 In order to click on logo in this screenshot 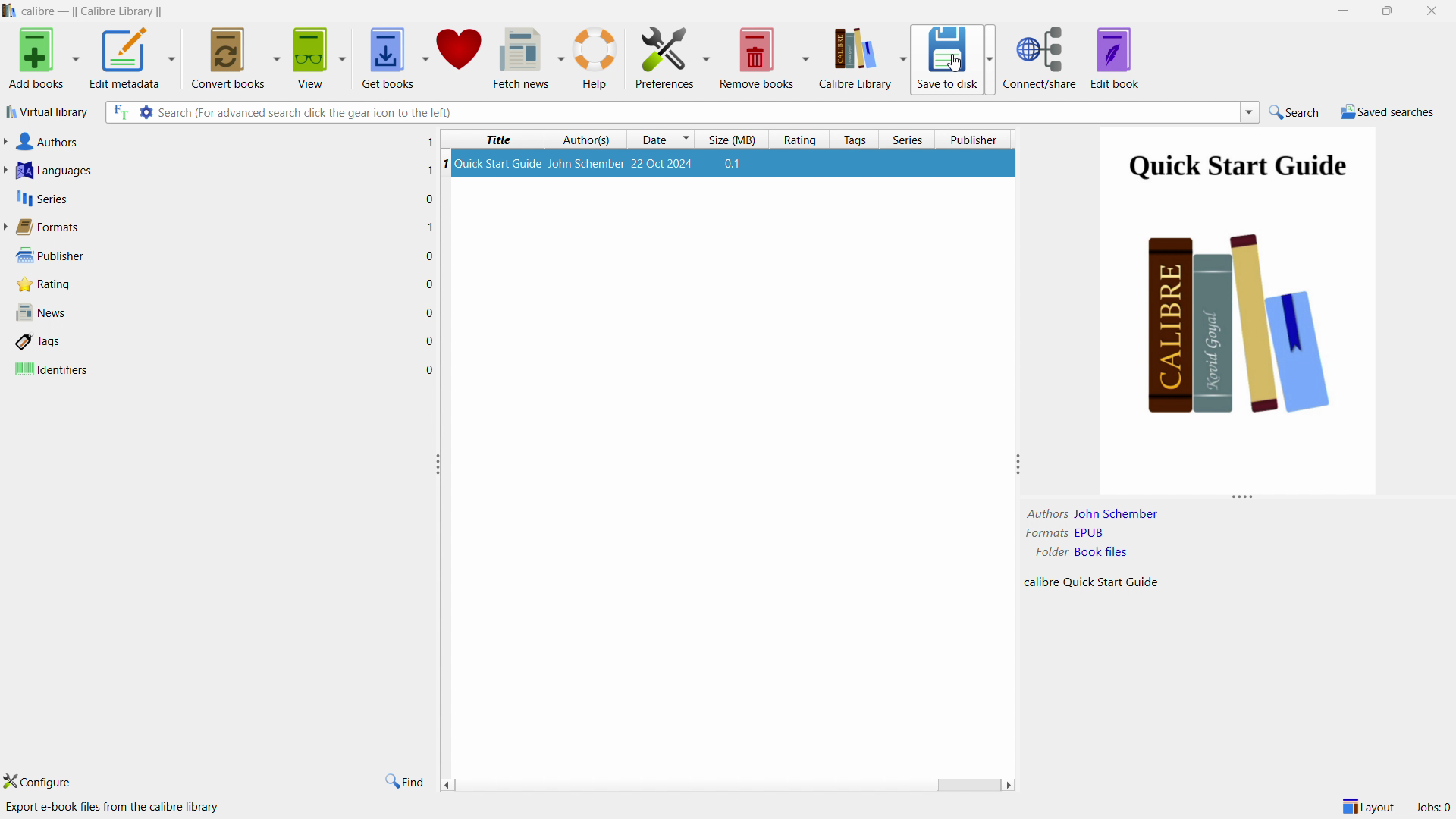, I will do `click(11, 11)`.